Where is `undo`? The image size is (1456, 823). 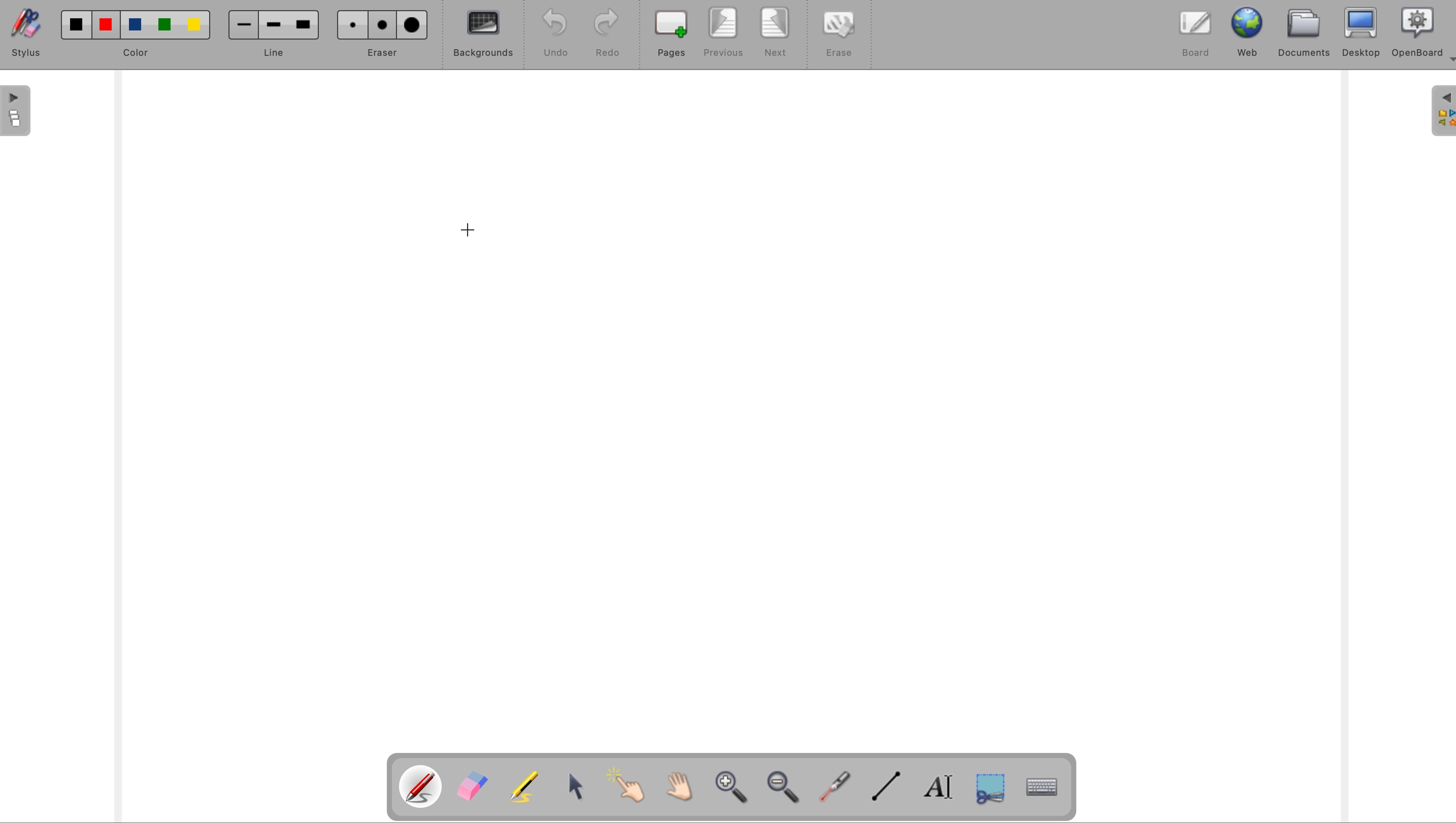
undo is located at coordinates (556, 33).